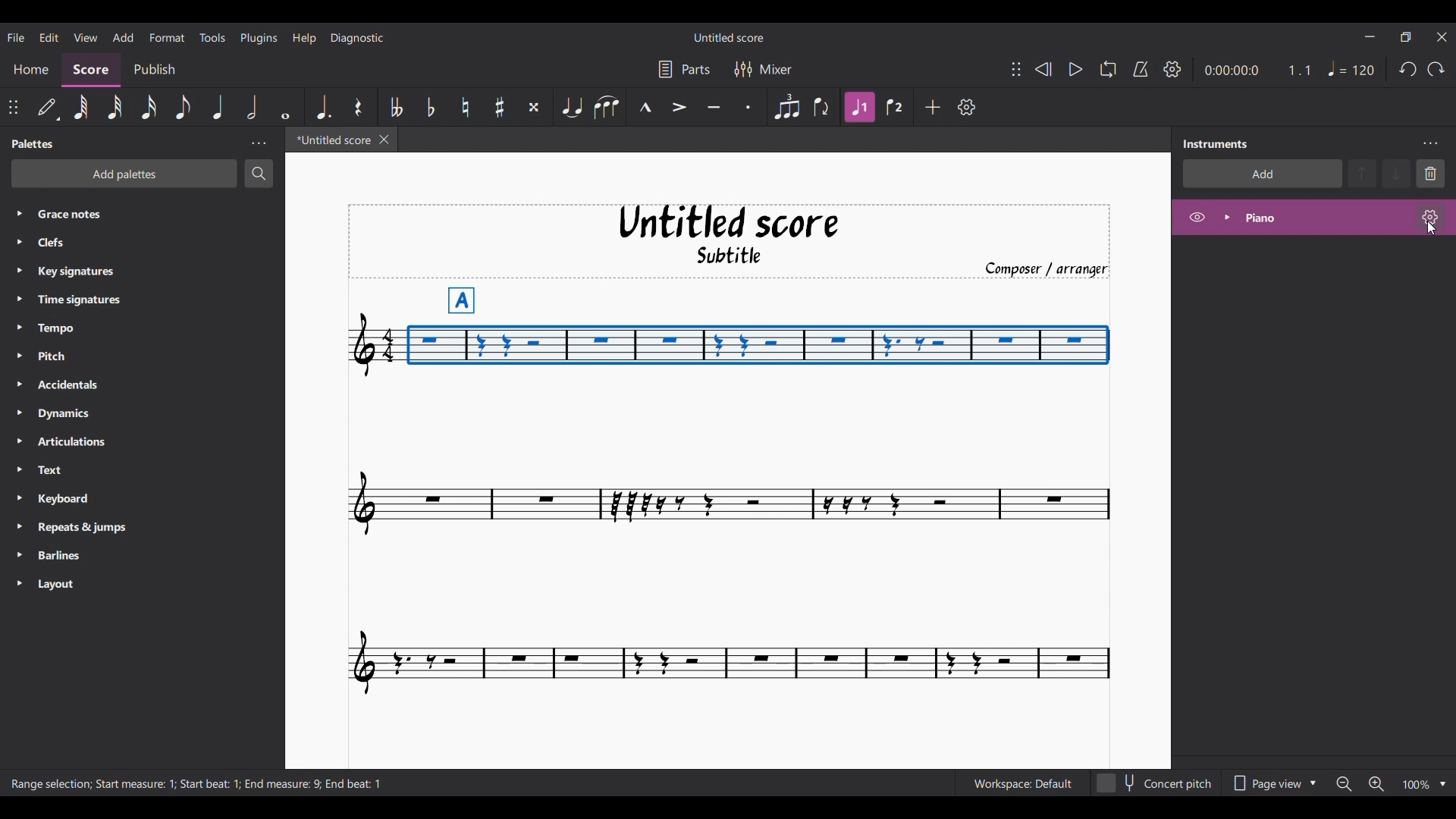  I want to click on Composer/arranger, so click(1045, 268).